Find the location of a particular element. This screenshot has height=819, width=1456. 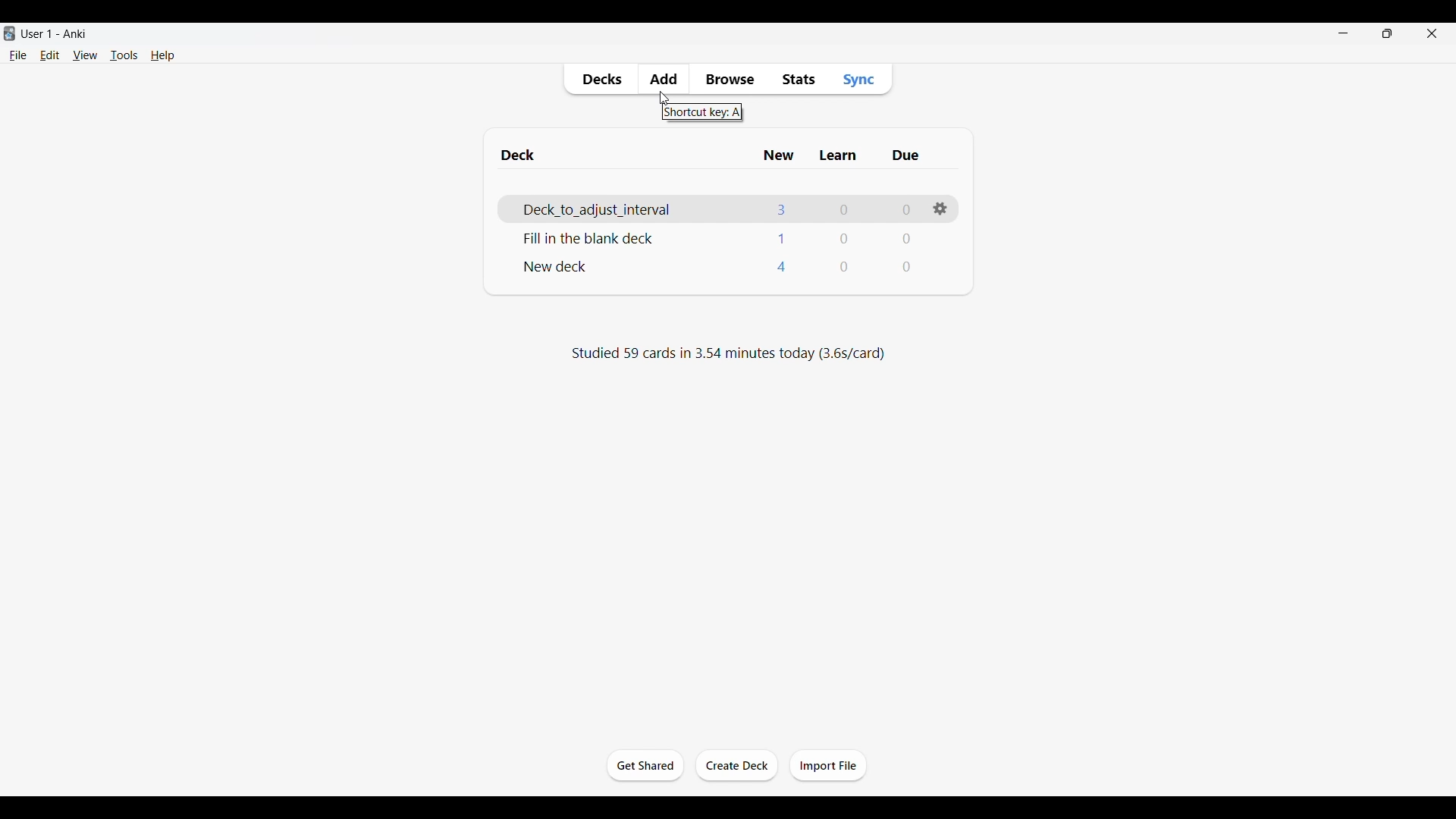

Deck is located at coordinates (591, 237).